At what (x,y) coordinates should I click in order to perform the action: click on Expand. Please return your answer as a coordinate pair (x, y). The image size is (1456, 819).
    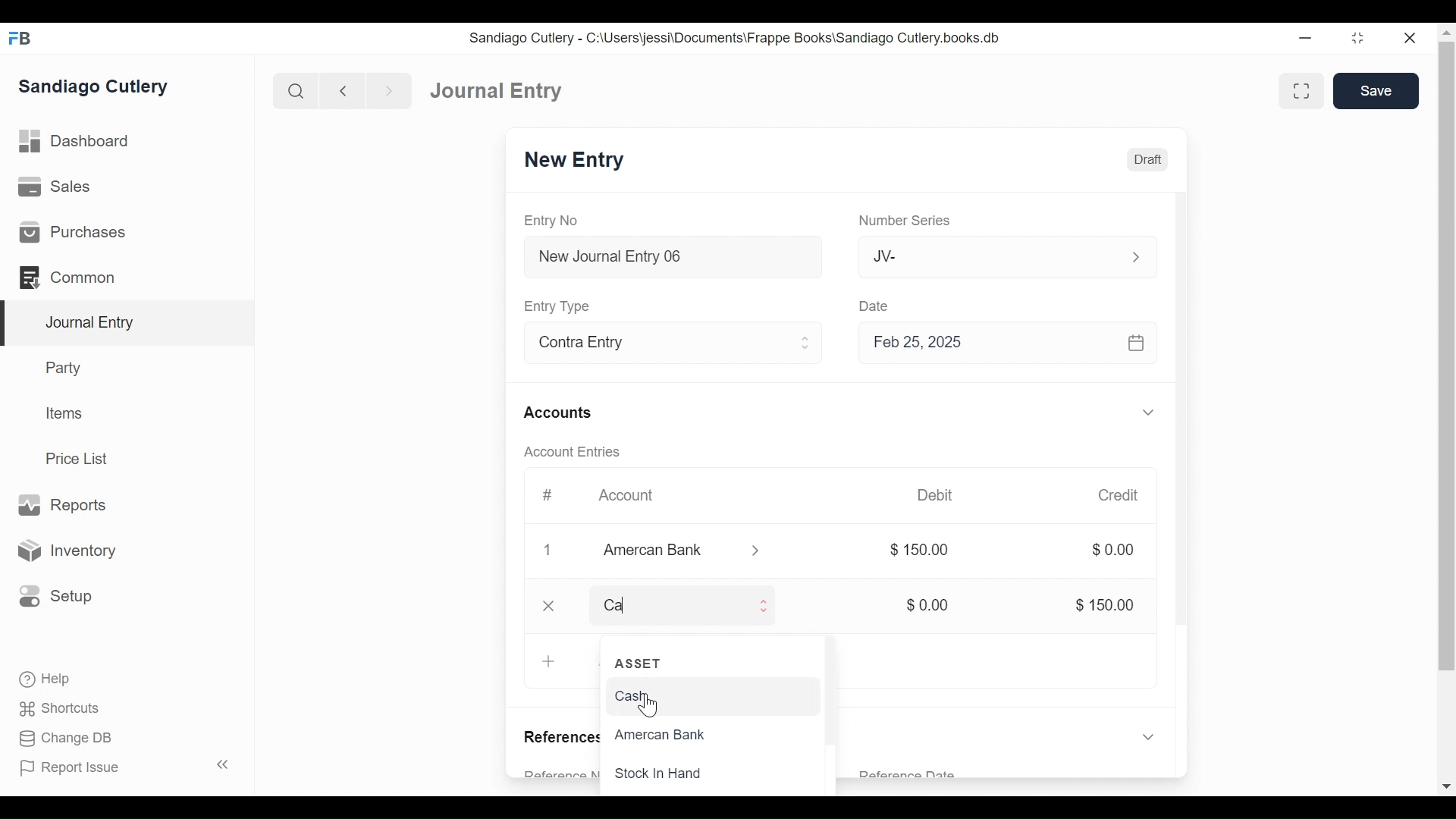
    Looking at the image, I should click on (1148, 413).